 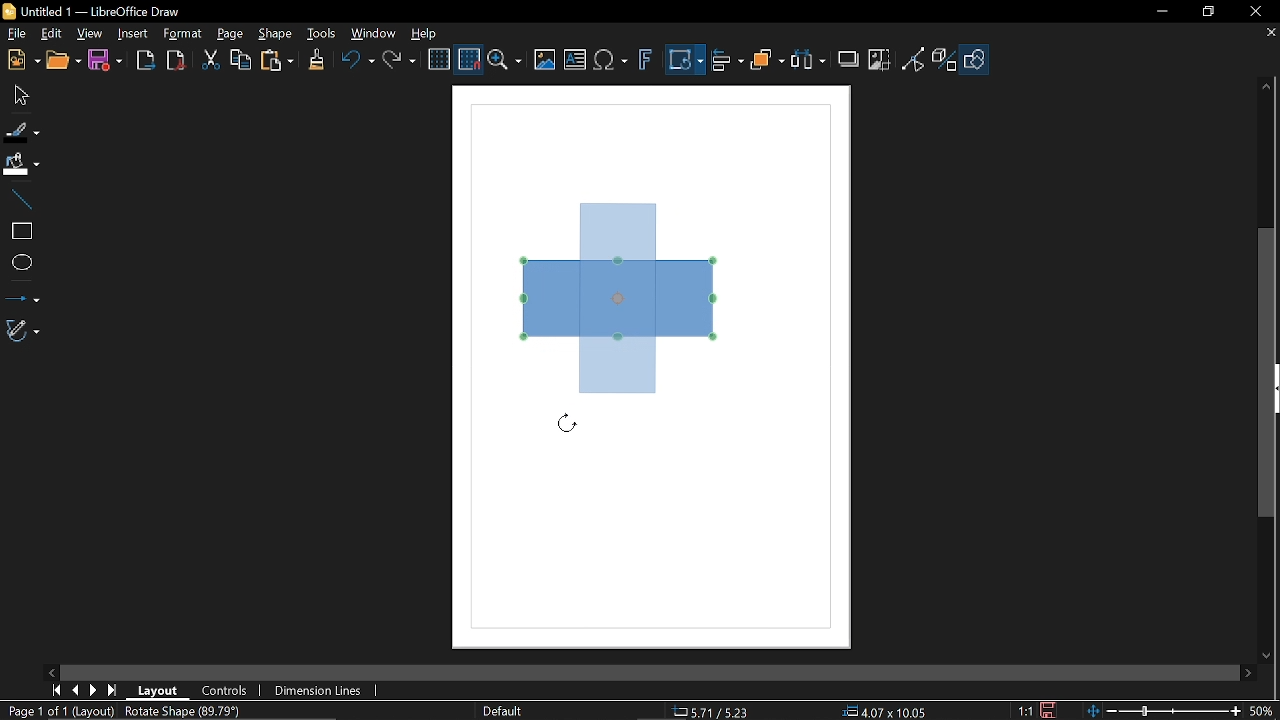 I want to click on Crop, so click(x=881, y=61).